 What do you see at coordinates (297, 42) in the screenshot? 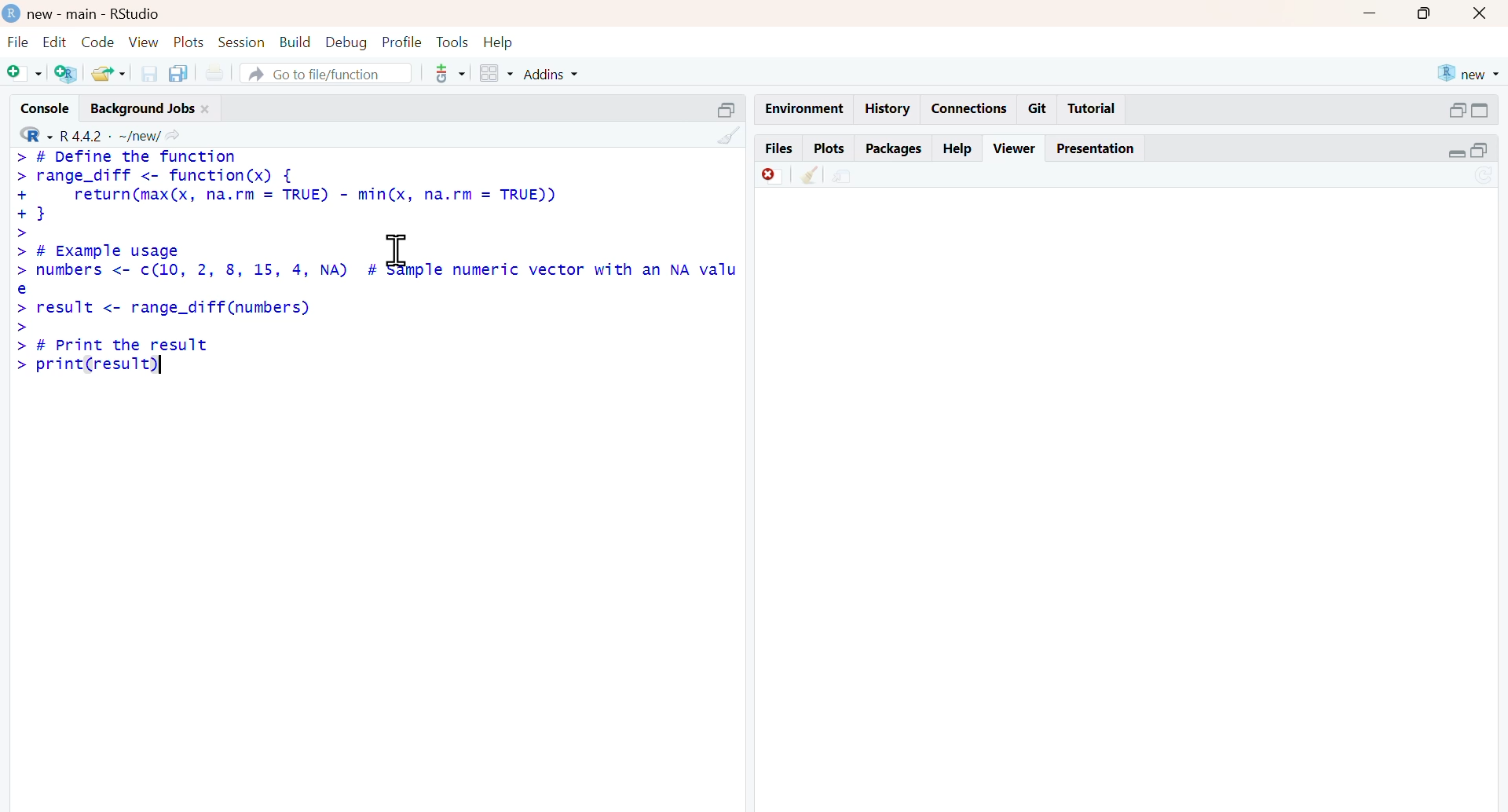
I see `build` at bounding box center [297, 42].